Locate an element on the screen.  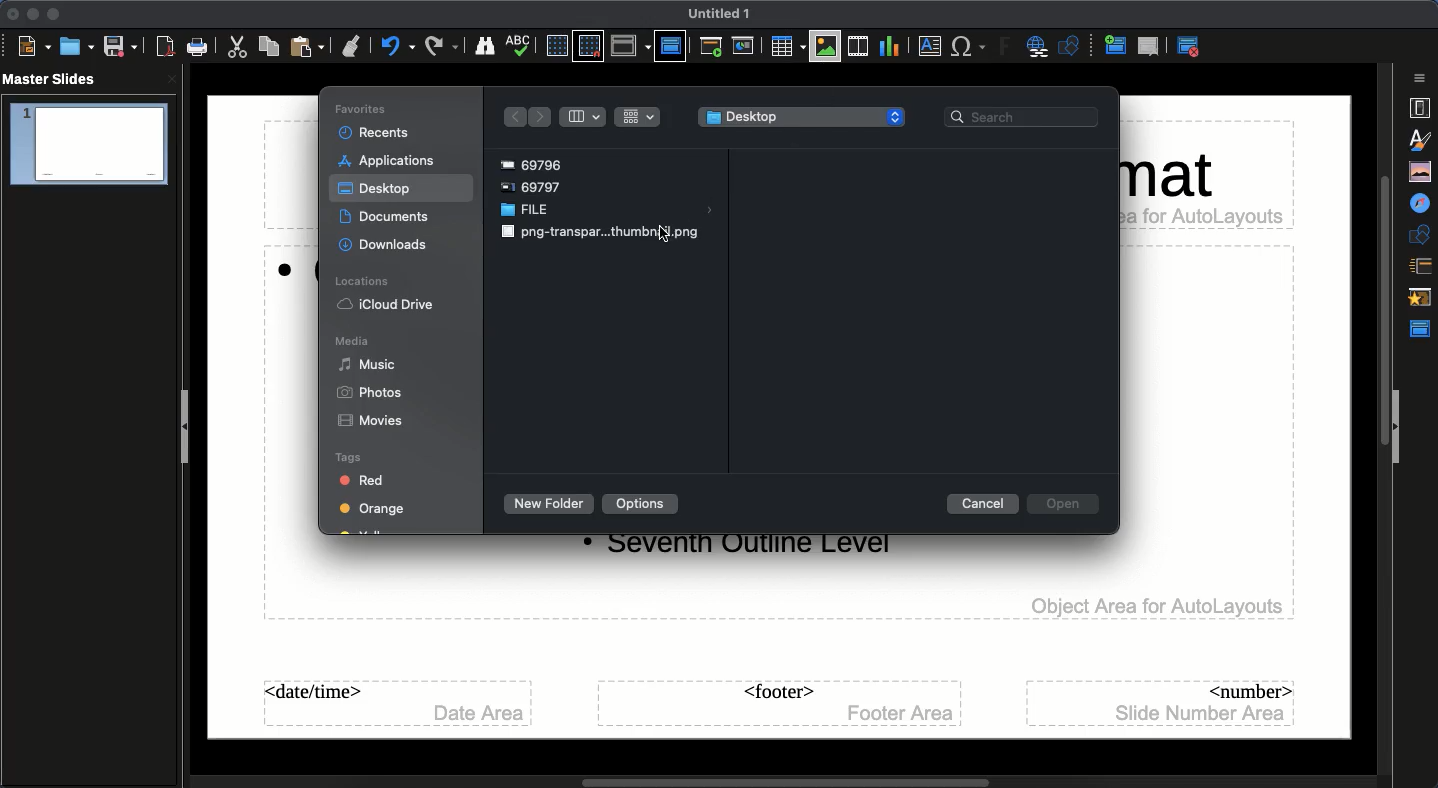
Maximize is located at coordinates (52, 14).